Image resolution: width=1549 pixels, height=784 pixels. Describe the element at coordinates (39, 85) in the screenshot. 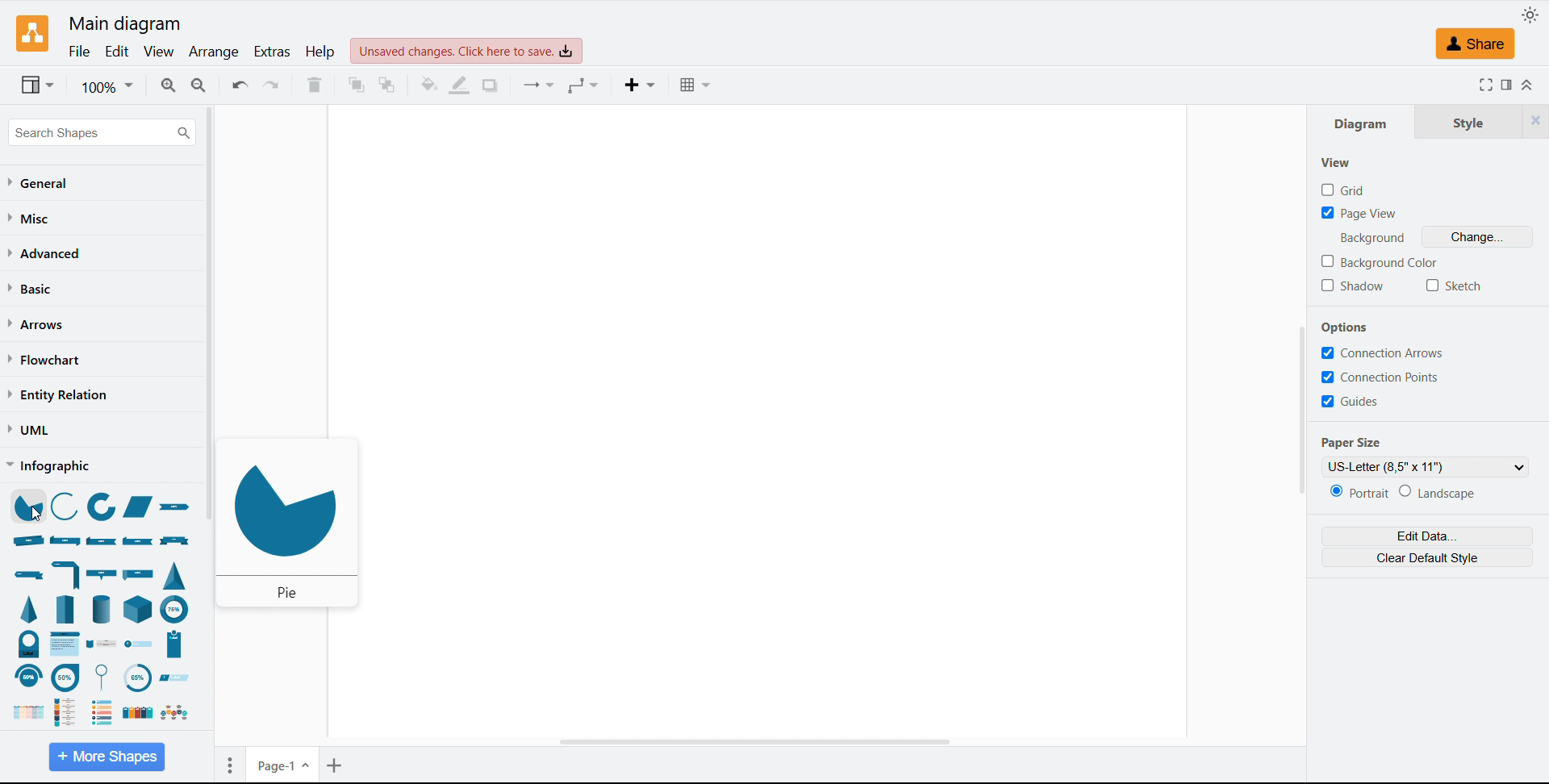

I see `View options ` at that location.